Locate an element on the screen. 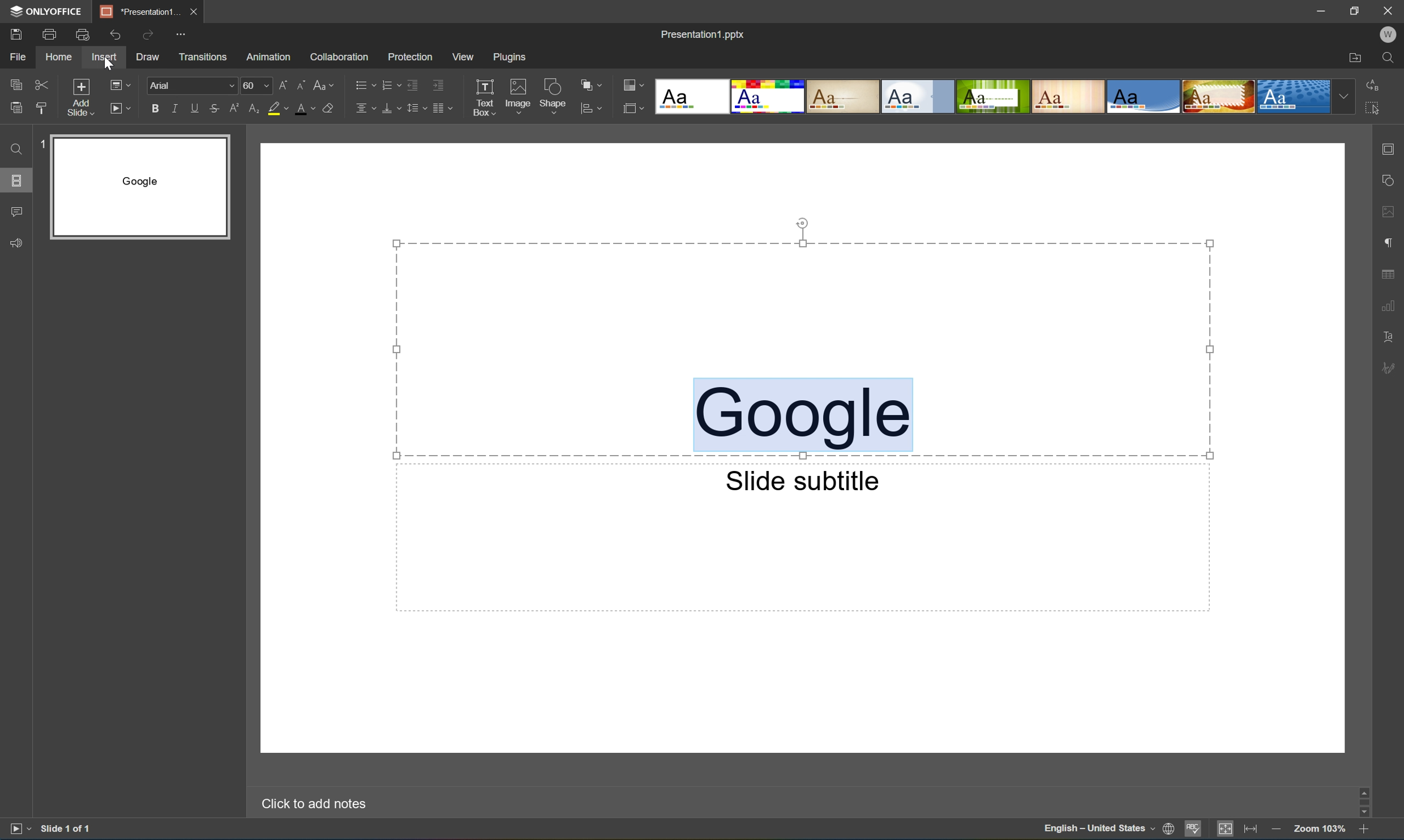  Blank is located at coordinates (691, 96).